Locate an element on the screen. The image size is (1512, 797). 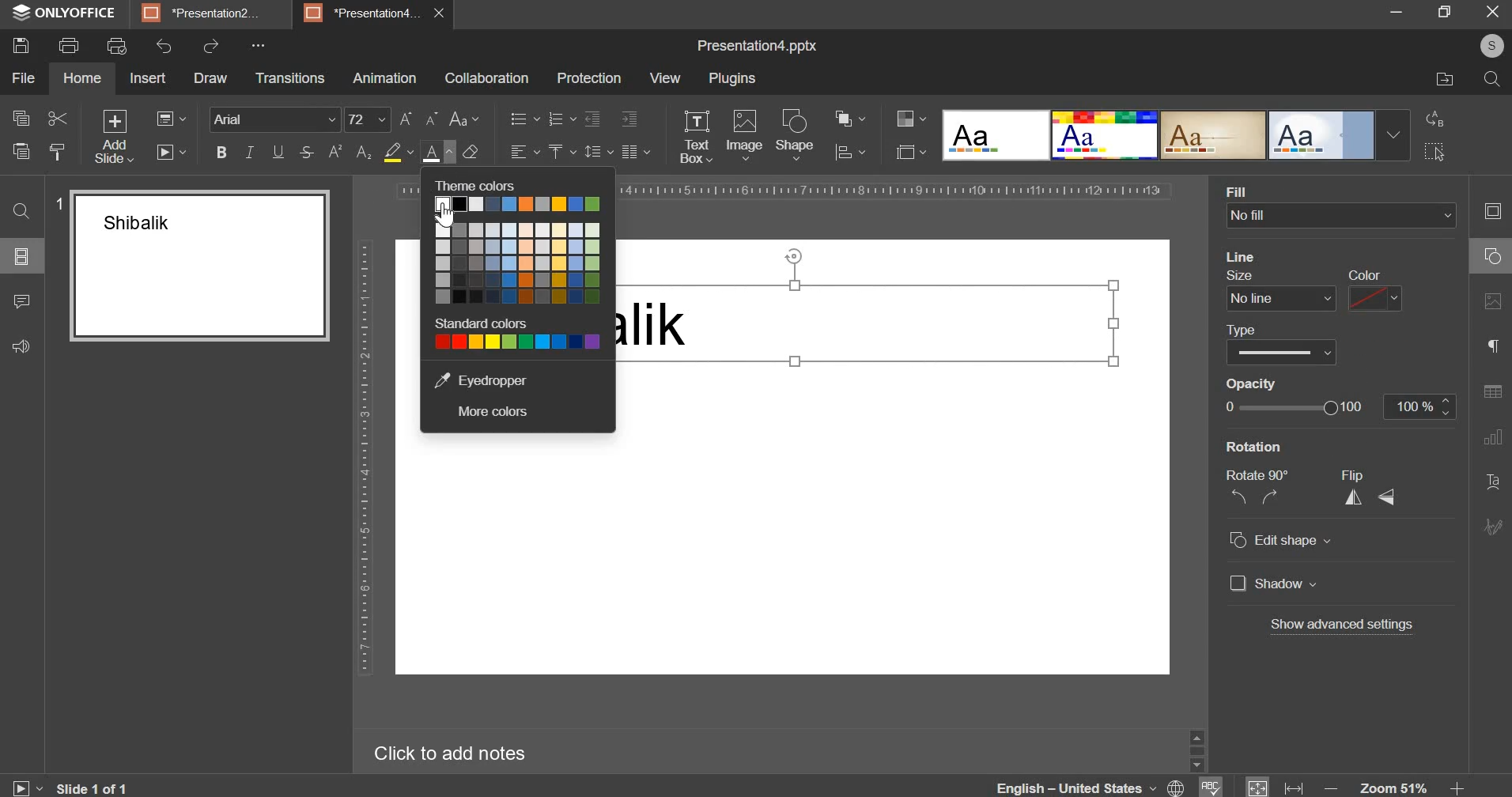
Minimise is located at coordinates (1443, 15).